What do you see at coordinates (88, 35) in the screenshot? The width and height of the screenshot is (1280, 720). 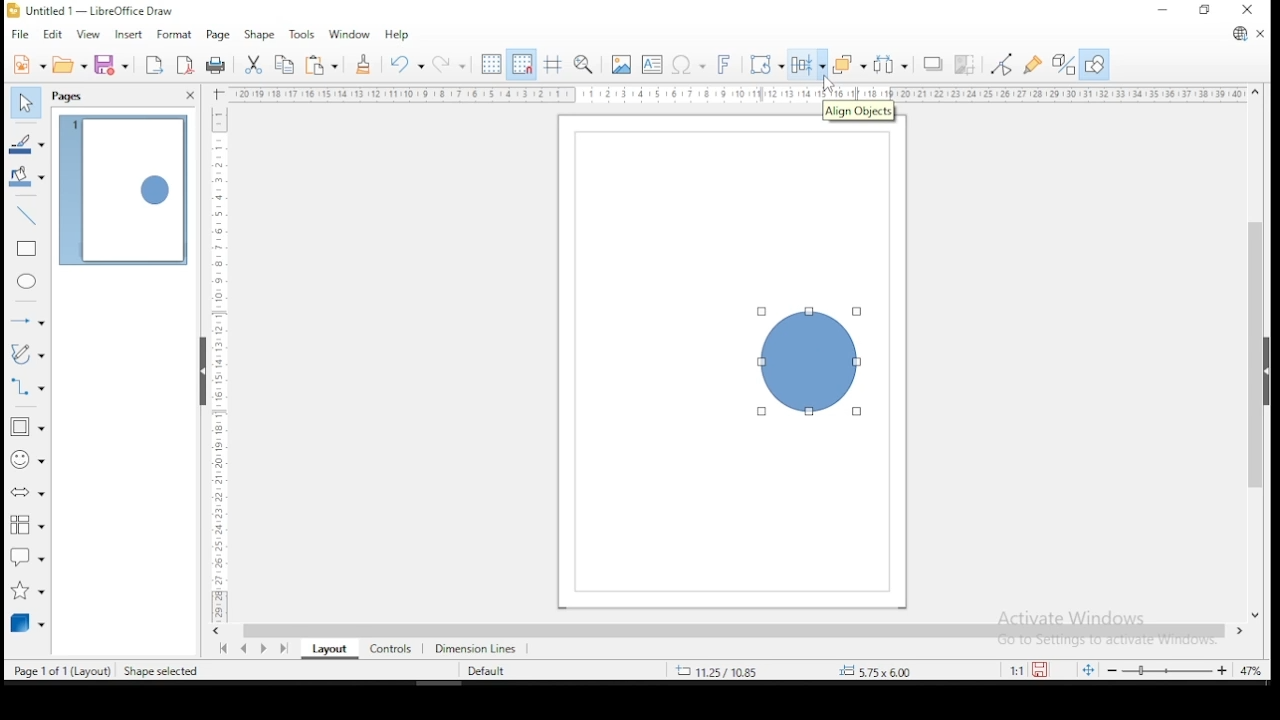 I see `view` at bounding box center [88, 35].